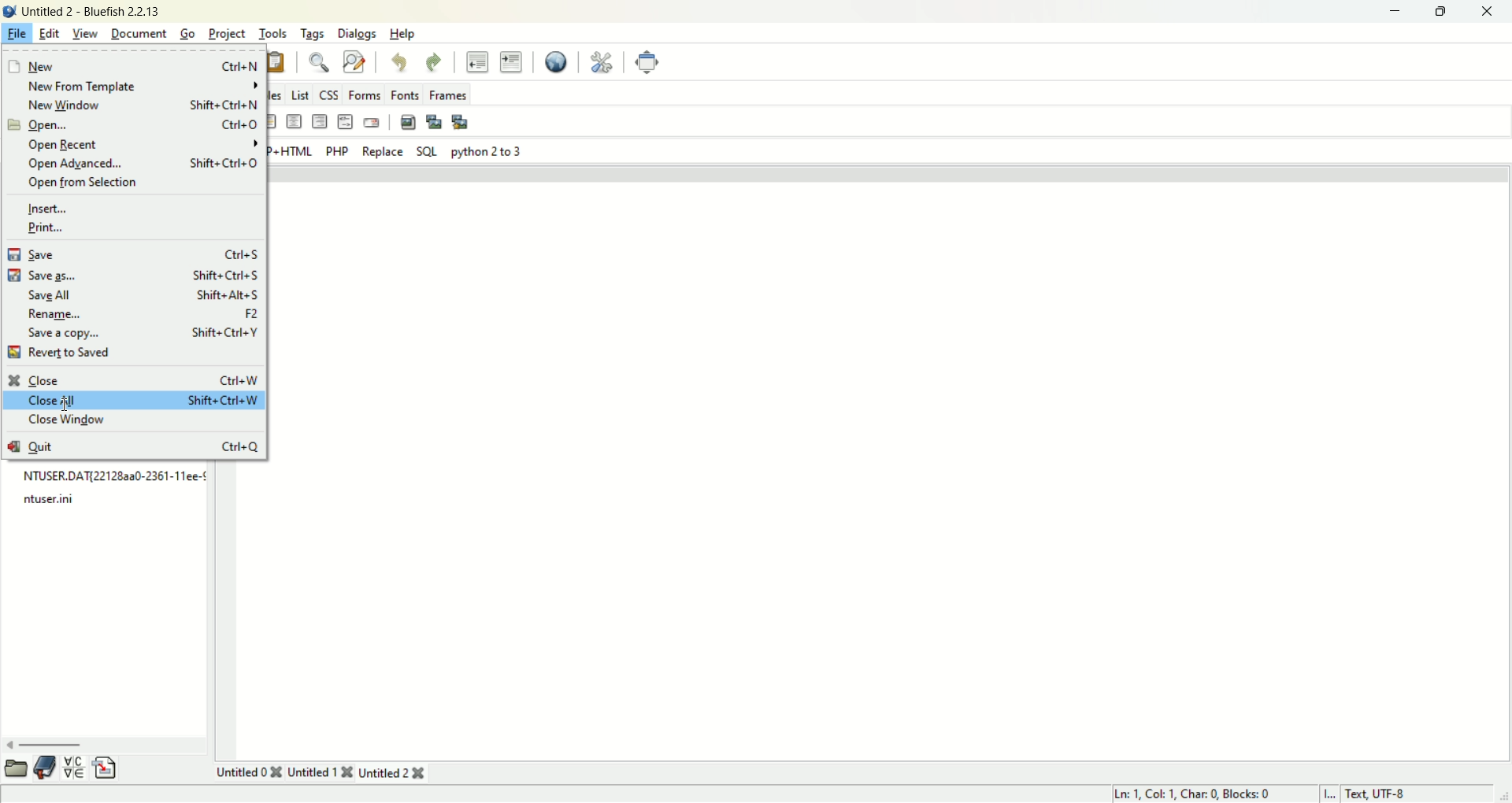 Image resolution: width=1512 pixels, height=803 pixels. I want to click on save all, so click(145, 294).